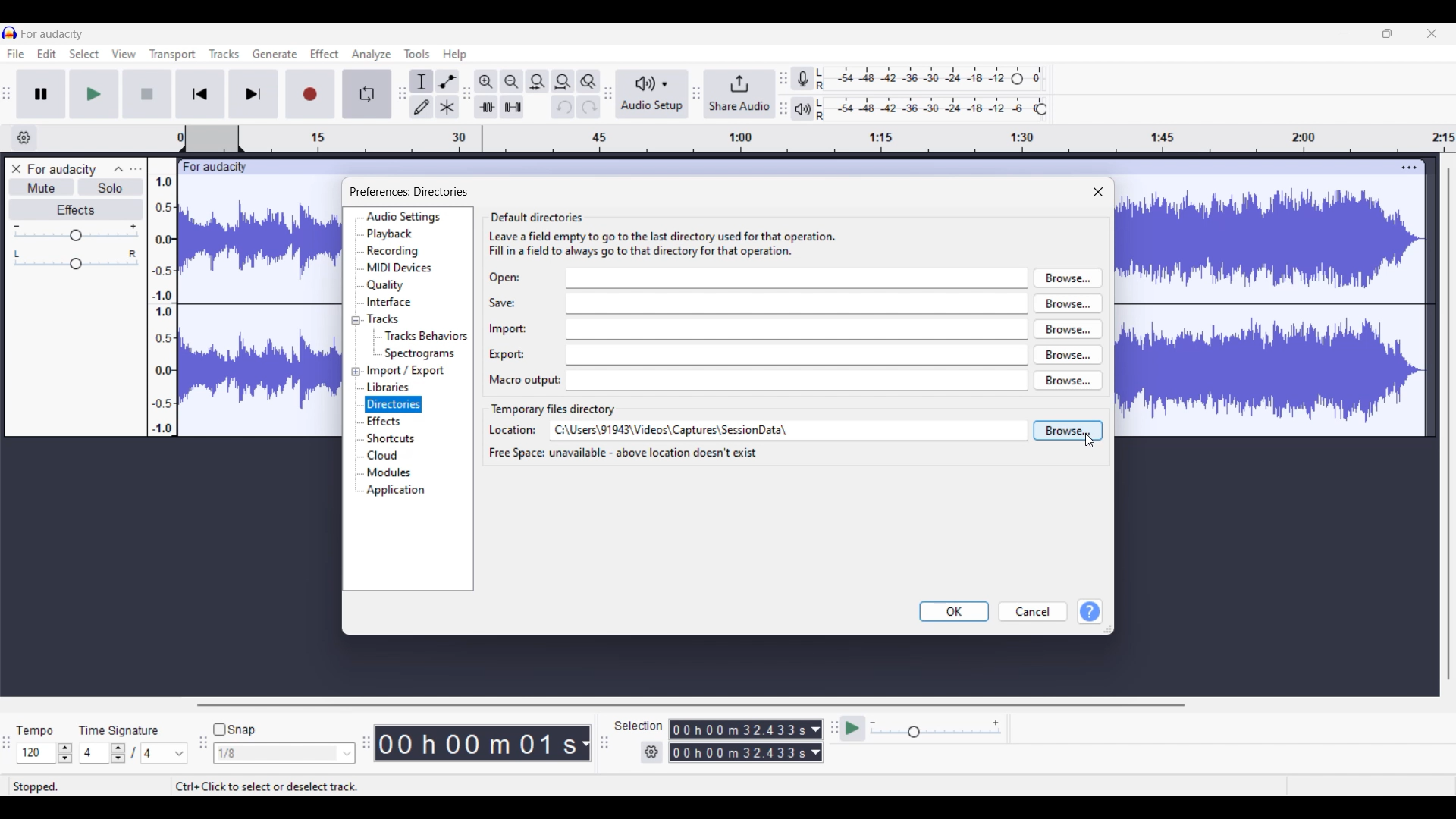 Image resolution: width=1456 pixels, height=819 pixels. What do you see at coordinates (536, 217) in the screenshot?
I see `default directories` at bounding box center [536, 217].